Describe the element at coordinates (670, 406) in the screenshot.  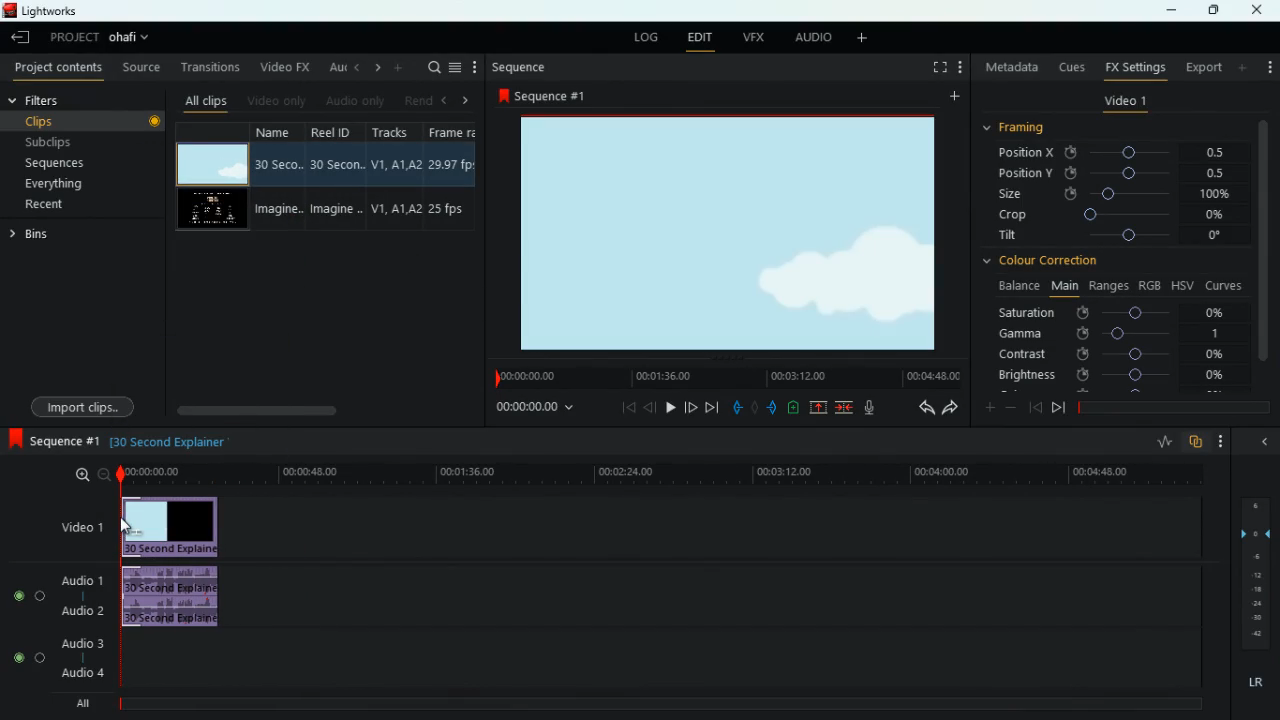
I see `play` at that location.